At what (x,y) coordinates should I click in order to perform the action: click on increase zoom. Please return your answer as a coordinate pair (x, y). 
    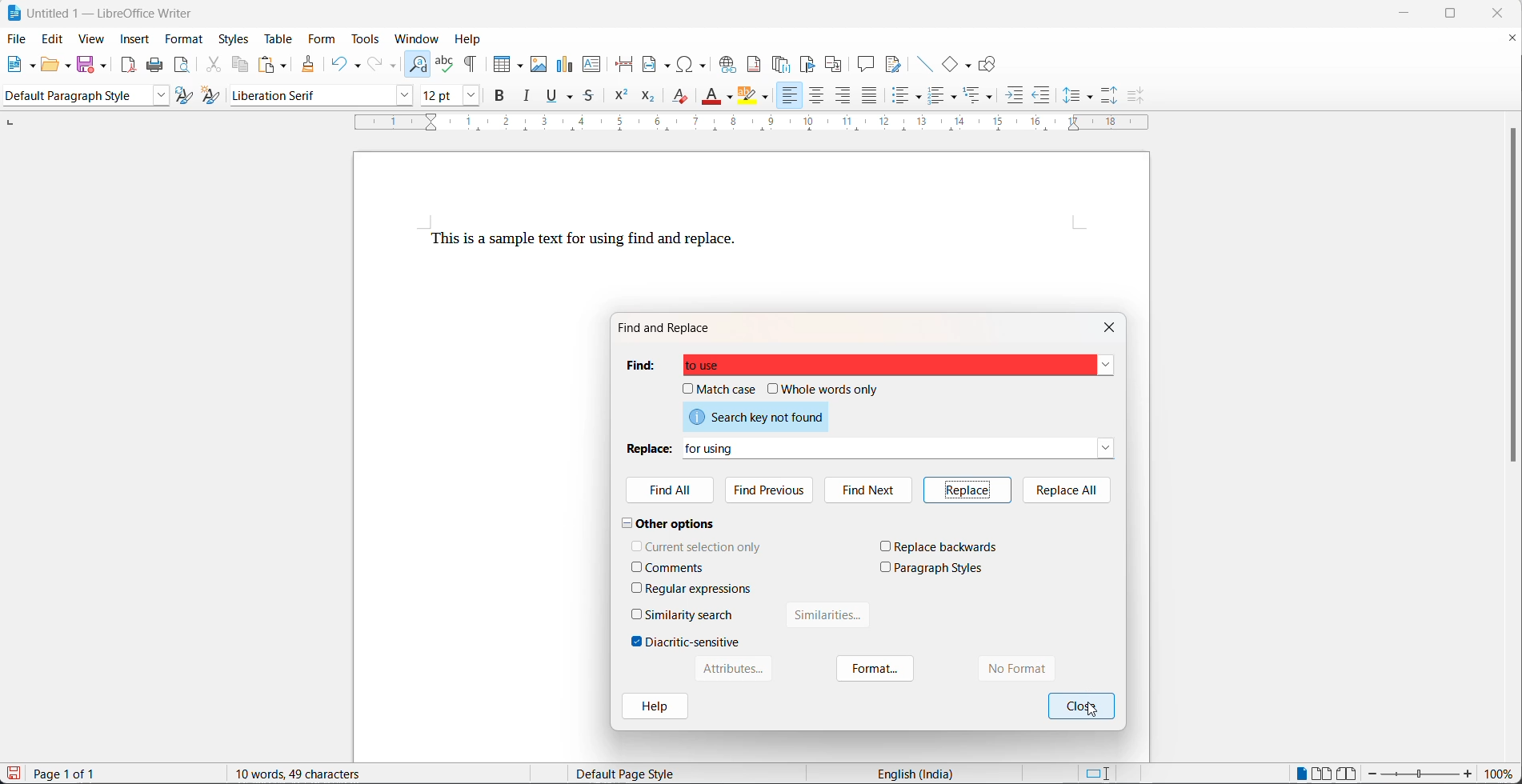
    Looking at the image, I should click on (1470, 775).